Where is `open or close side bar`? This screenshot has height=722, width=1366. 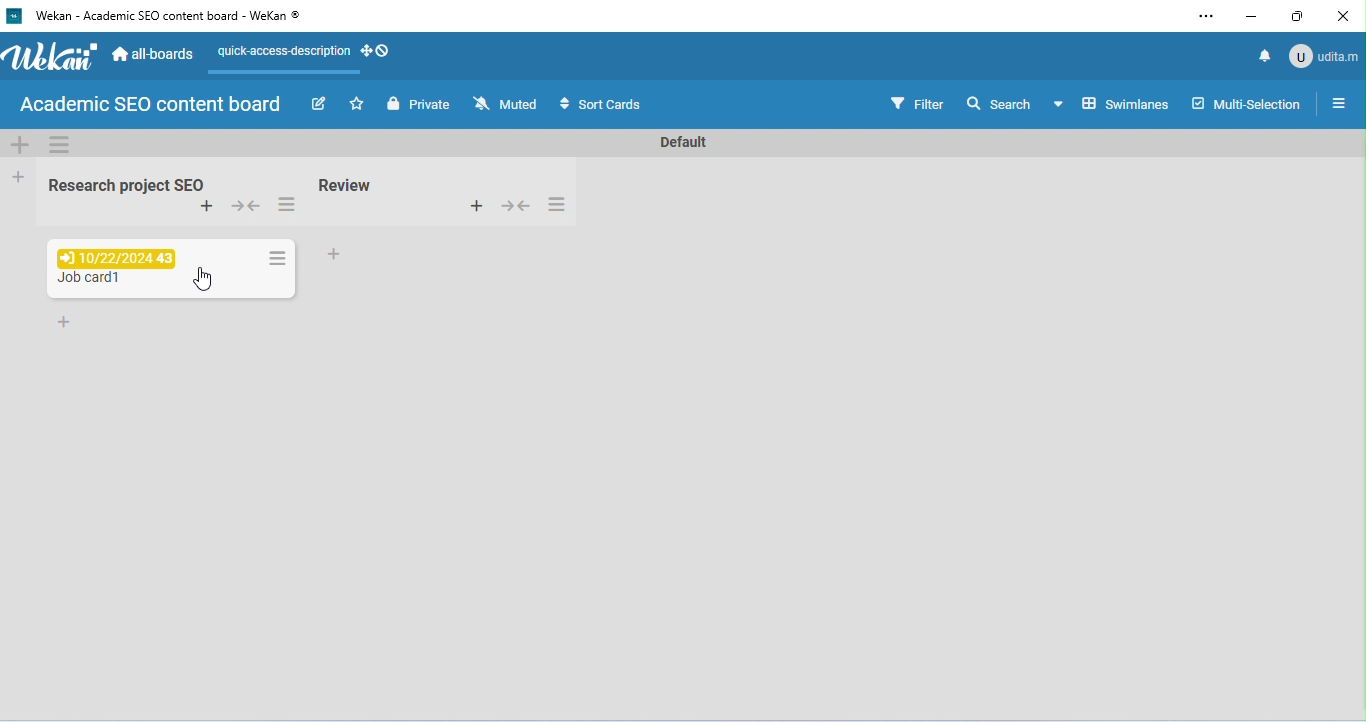 open or close side bar is located at coordinates (1338, 102).